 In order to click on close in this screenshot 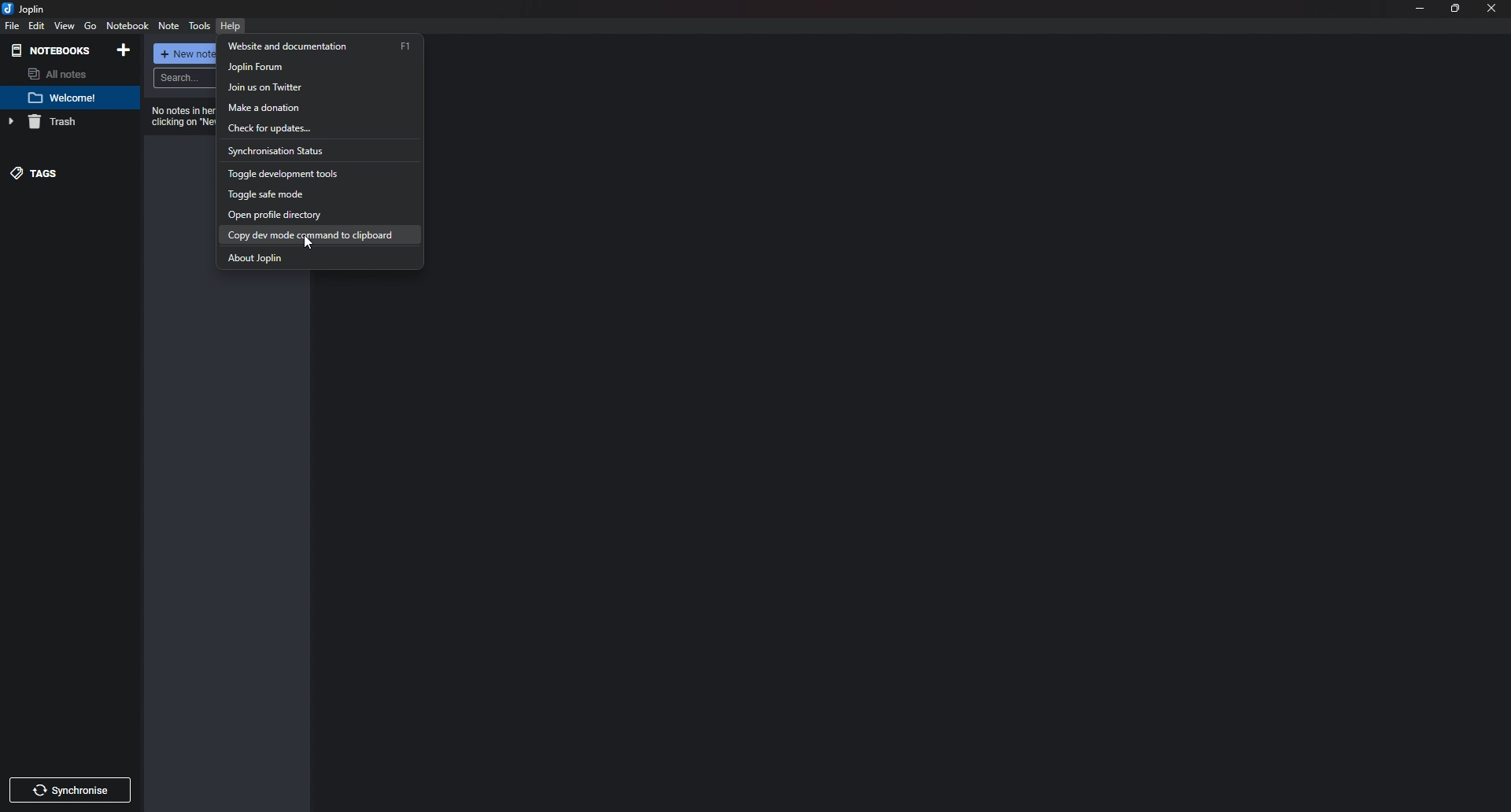, I will do `click(1493, 9)`.